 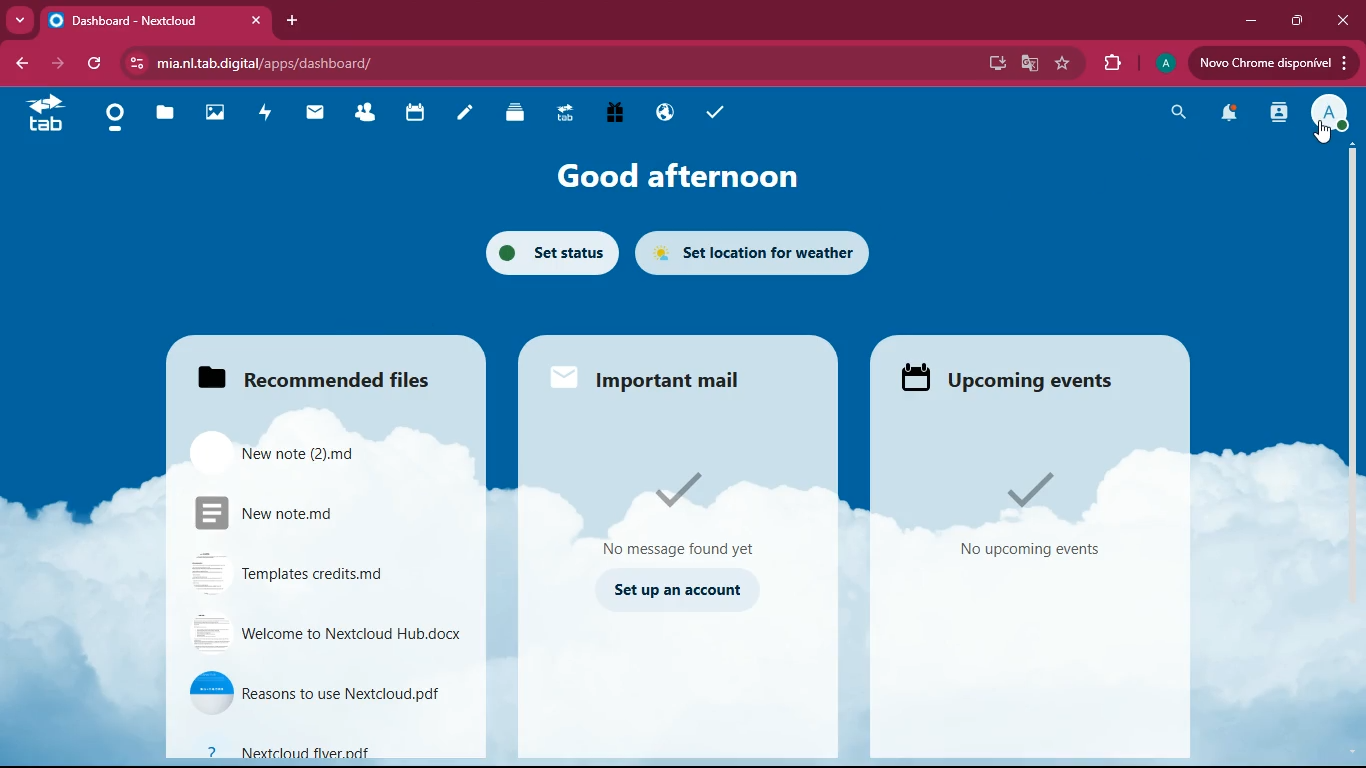 What do you see at coordinates (316, 380) in the screenshot?
I see `files` at bounding box center [316, 380].